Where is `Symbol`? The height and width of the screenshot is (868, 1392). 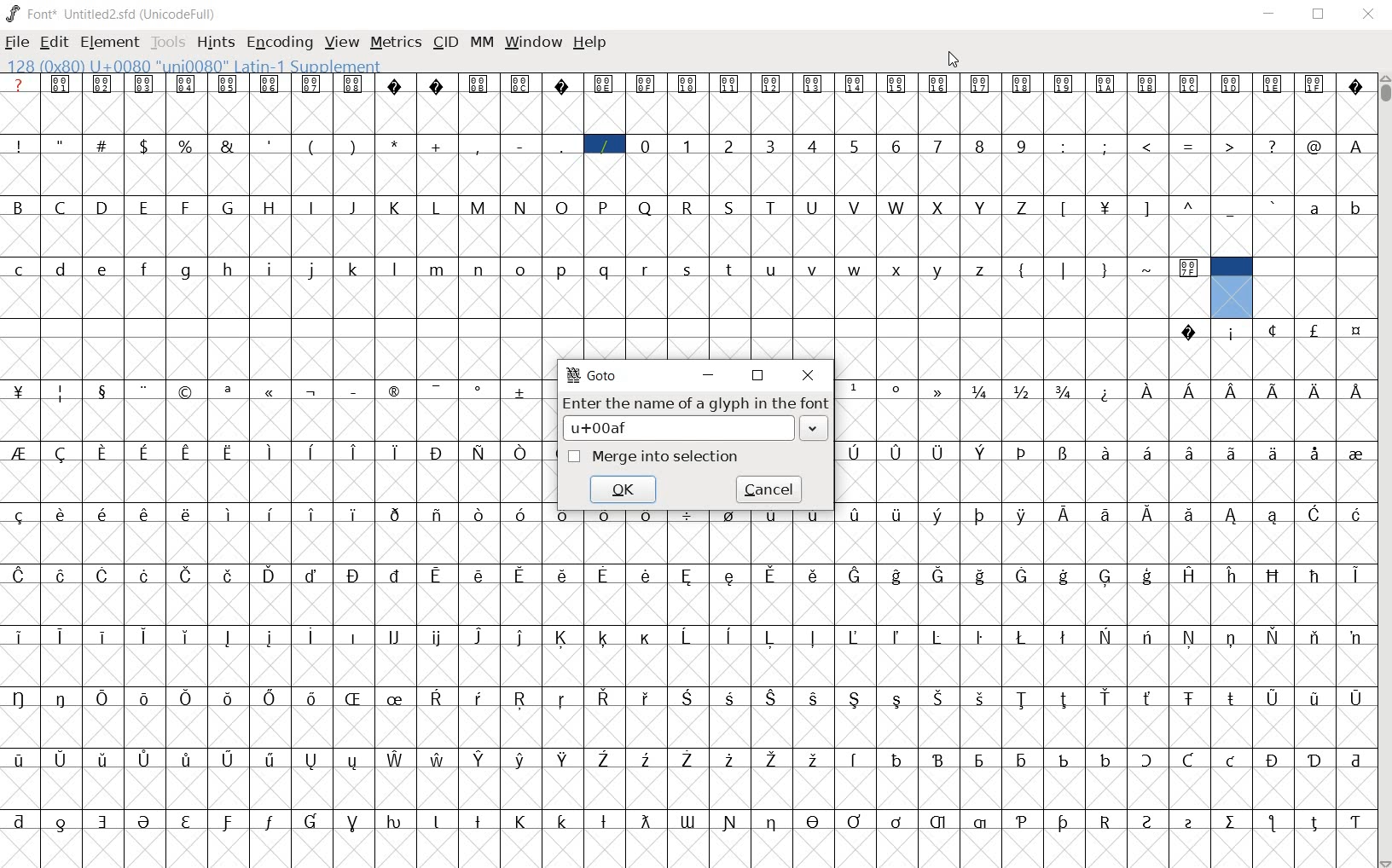 Symbol is located at coordinates (274, 697).